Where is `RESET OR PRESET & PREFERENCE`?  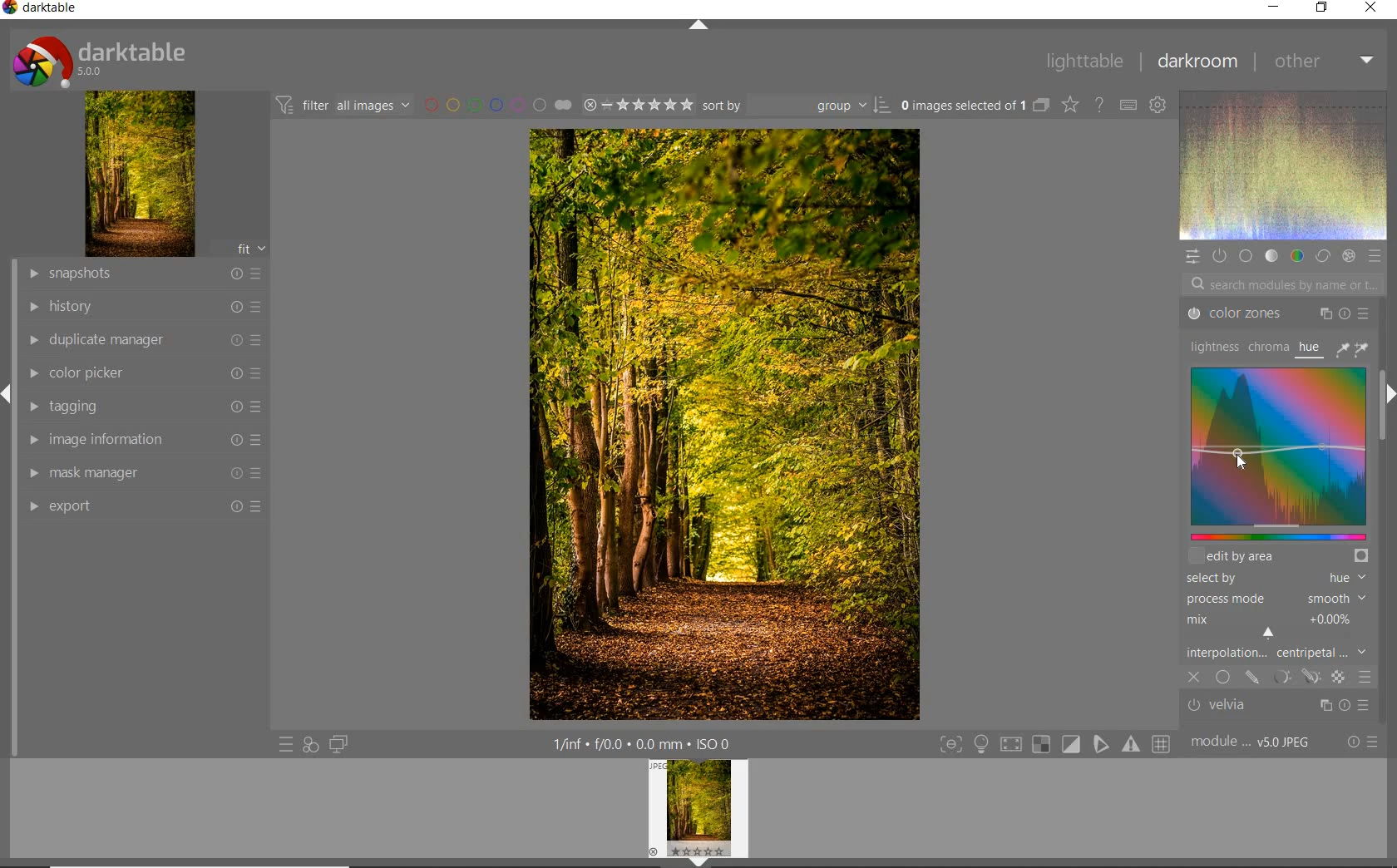 RESET OR PRESET & PREFERENCE is located at coordinates (1363, 742).